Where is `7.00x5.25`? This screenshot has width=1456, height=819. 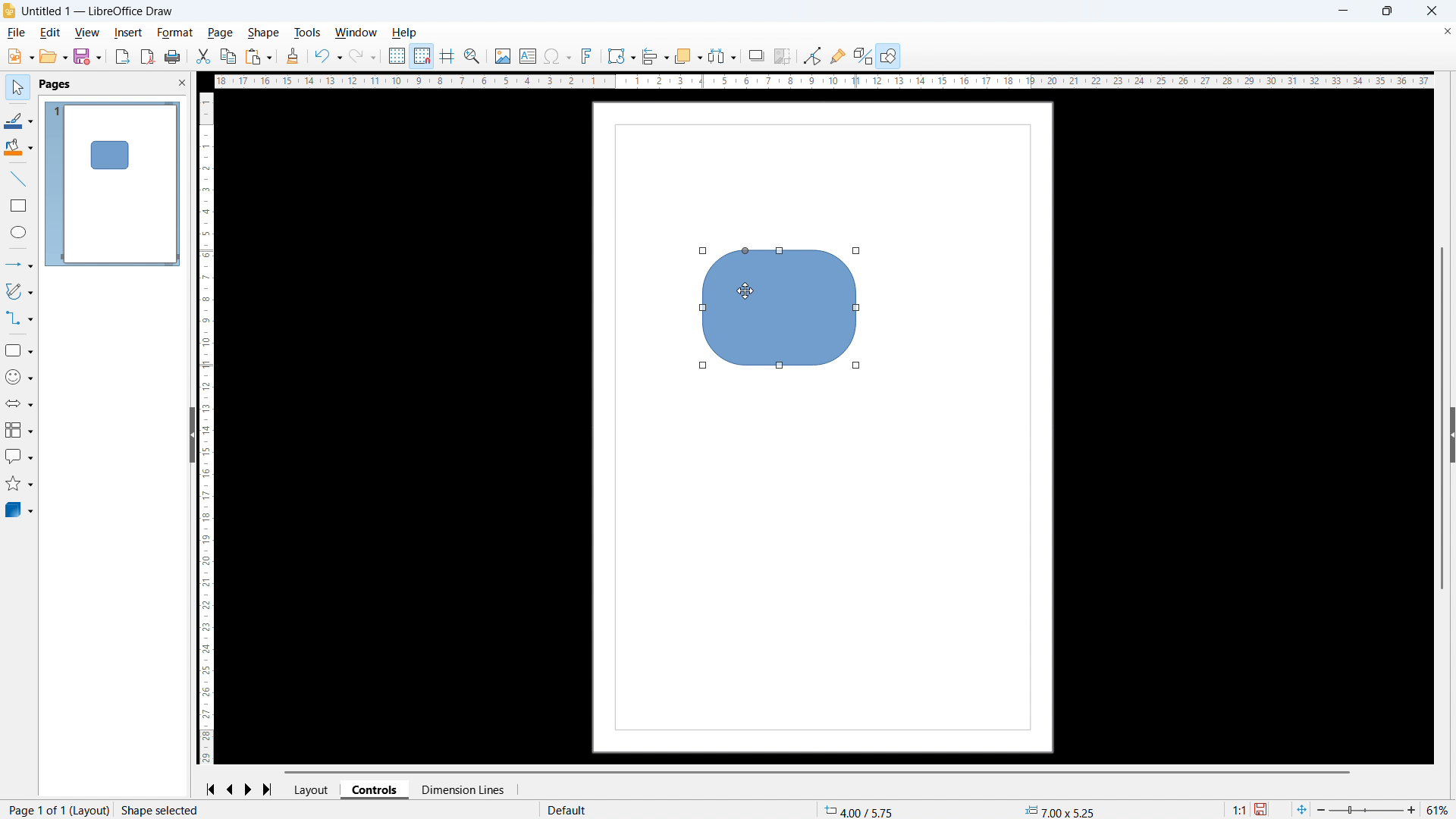
7.00x5.25 is located at coordinates (1059, 808).